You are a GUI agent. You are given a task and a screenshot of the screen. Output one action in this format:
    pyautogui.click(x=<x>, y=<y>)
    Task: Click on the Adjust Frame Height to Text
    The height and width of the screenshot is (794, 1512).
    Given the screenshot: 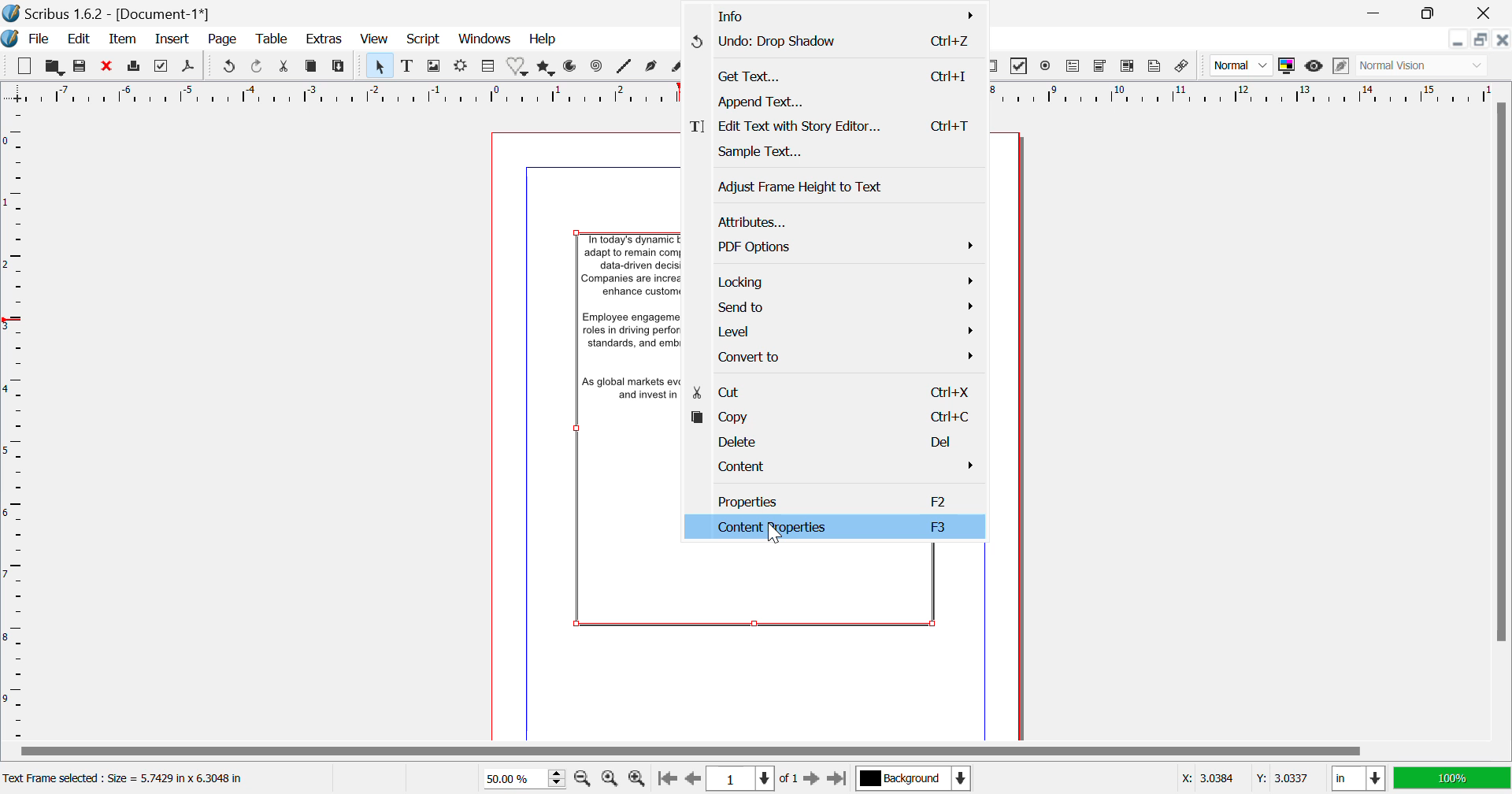 What is the action you would take?
    pyautogui.click(x=838, y=187)
    